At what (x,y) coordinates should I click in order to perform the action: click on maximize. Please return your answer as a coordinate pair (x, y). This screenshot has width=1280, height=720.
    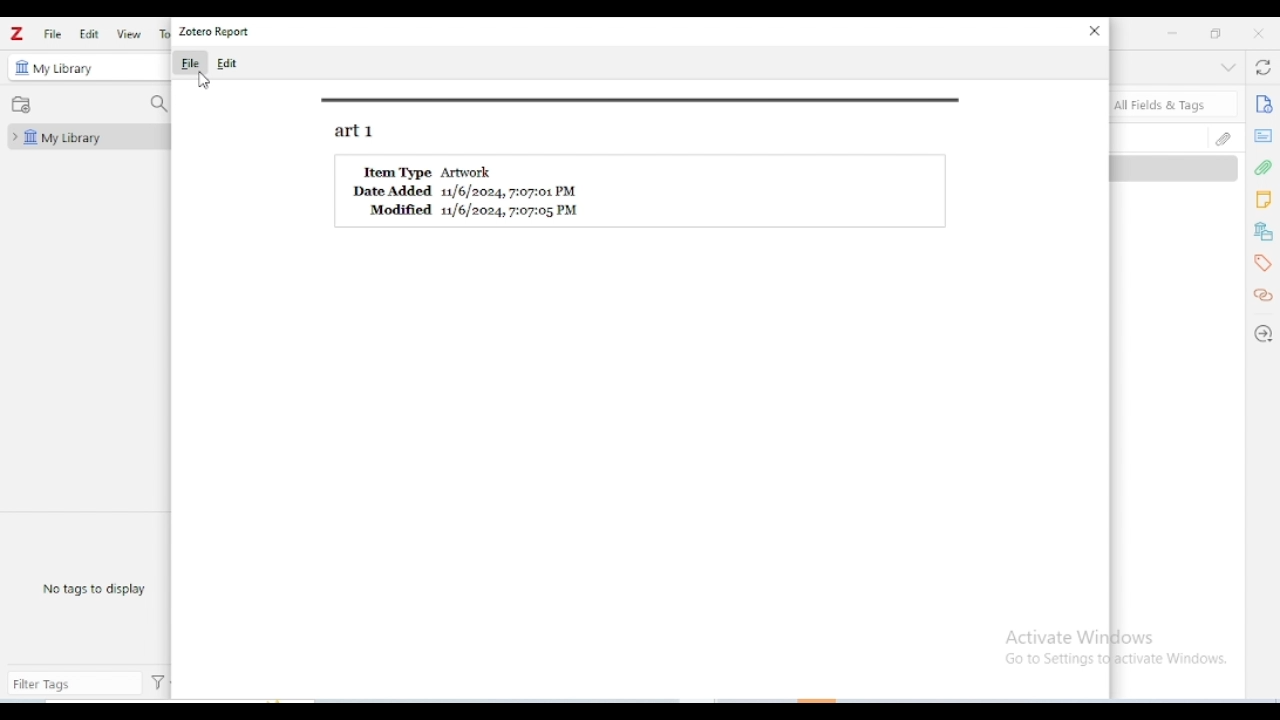
    Looking at the image, I should click on (1214, 32).